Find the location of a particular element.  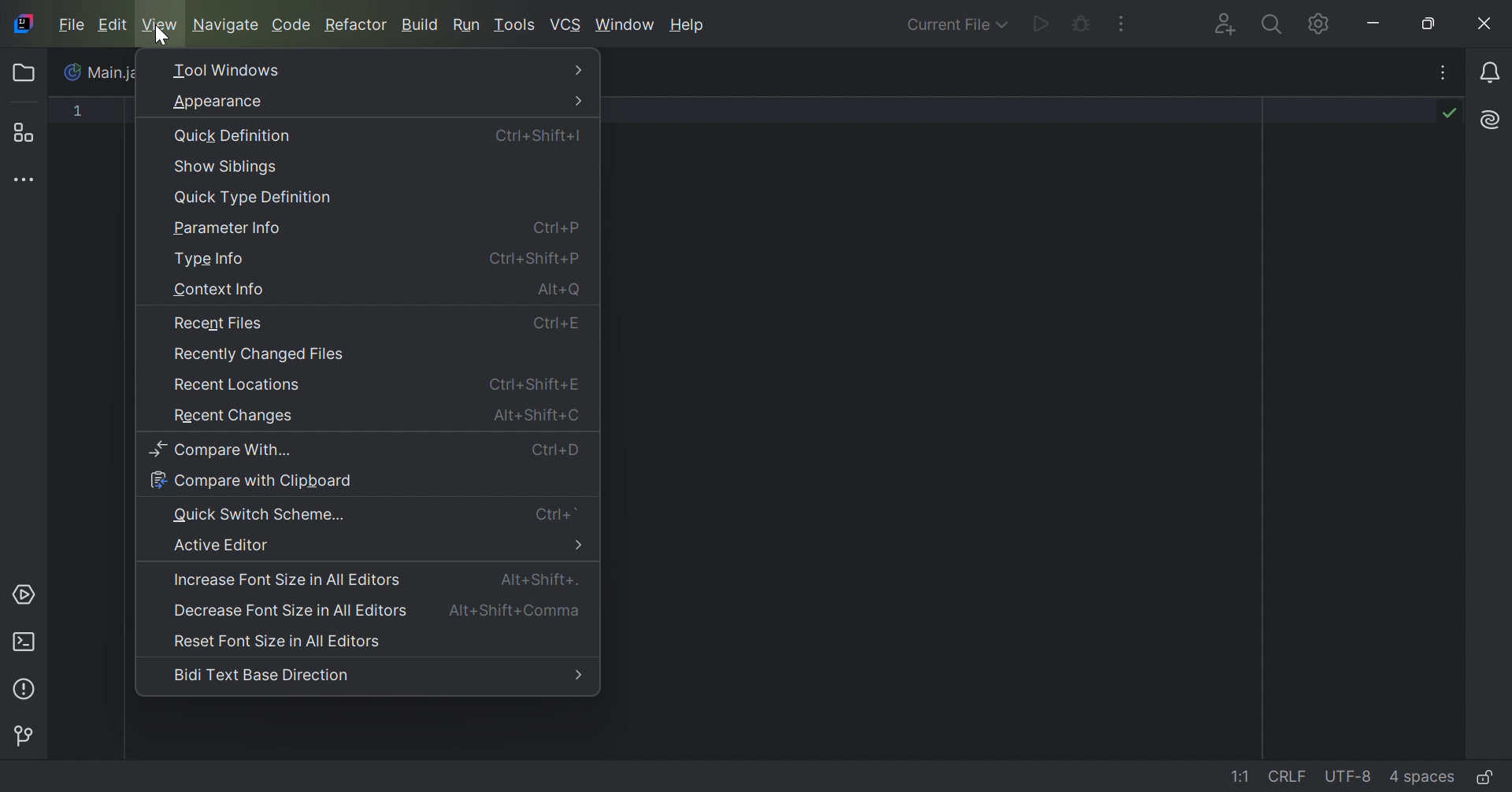

Ctrl+D is located at coordinates (555, 450).